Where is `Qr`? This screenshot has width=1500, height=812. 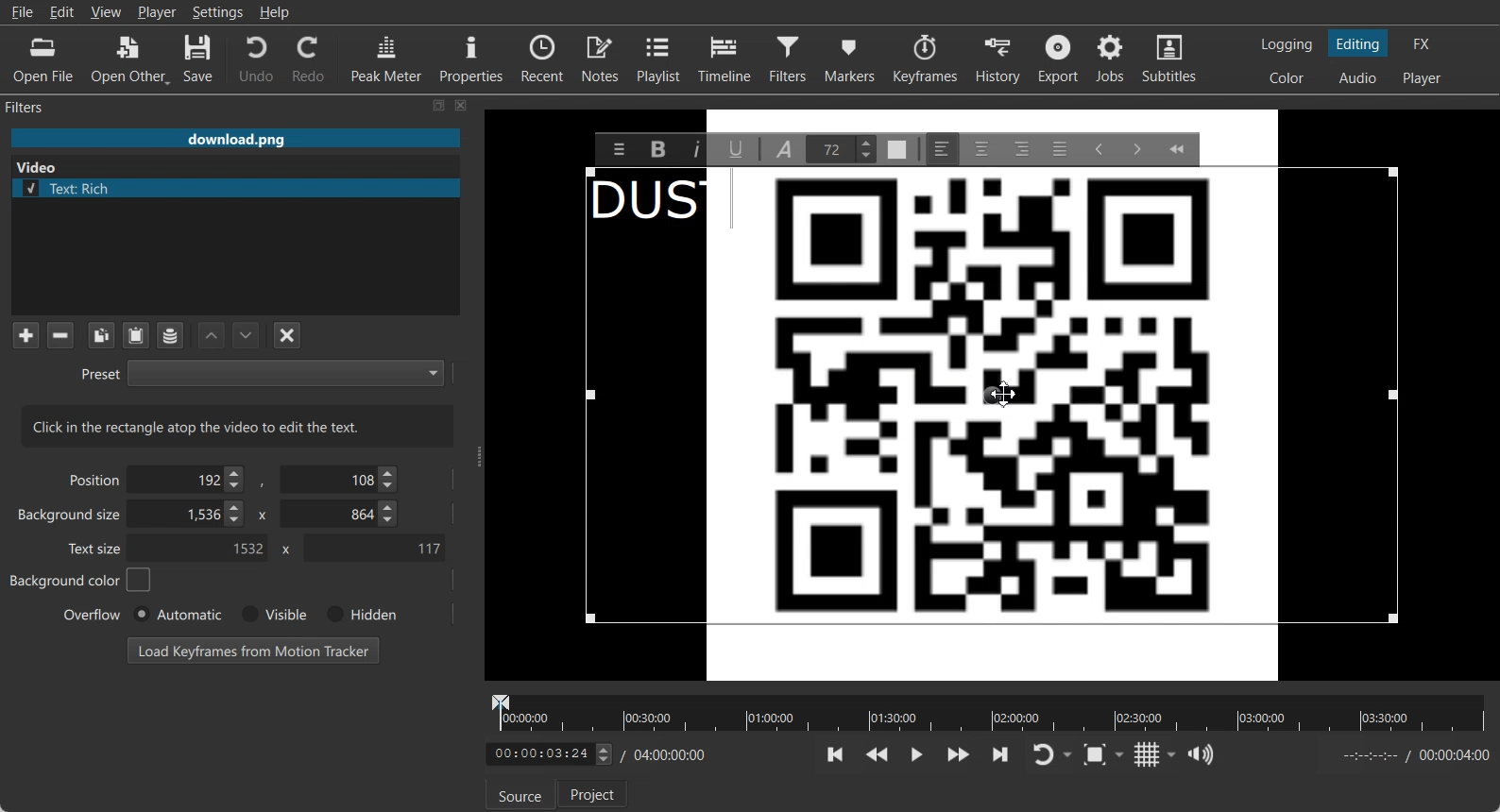
Qr is located at coordinates (994, 425).